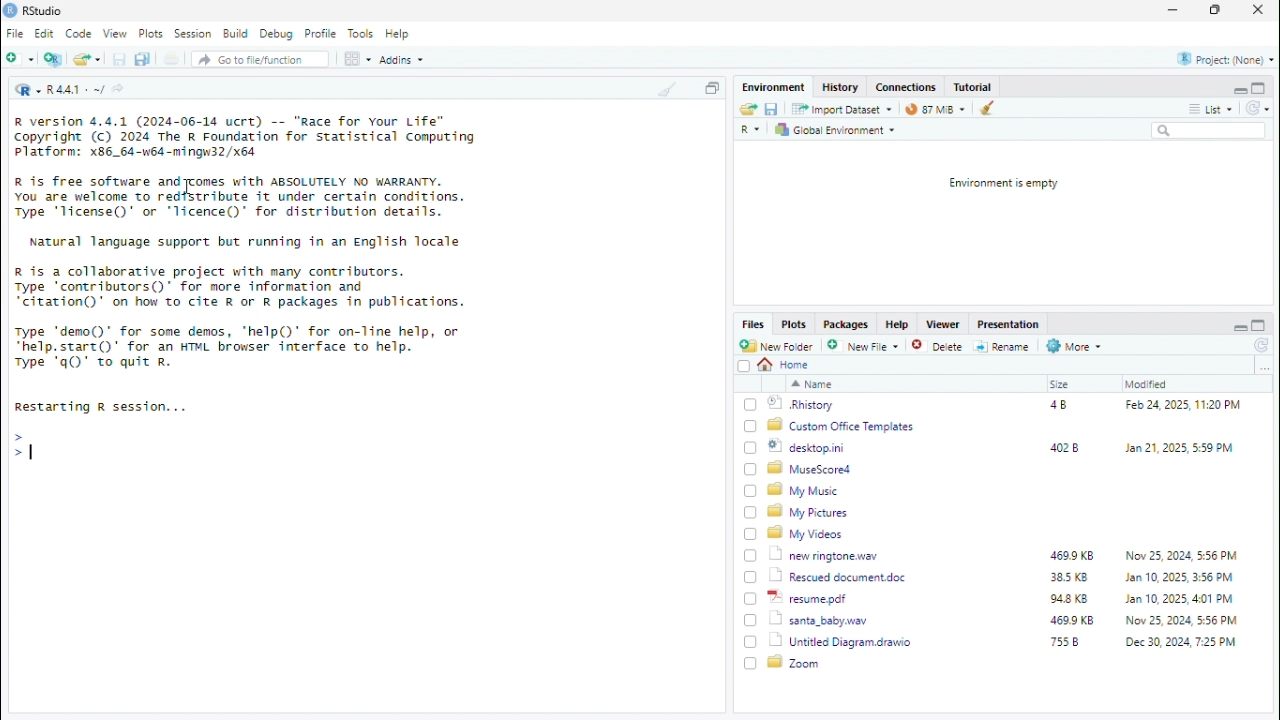  Describe the element at coordinates (1263, 346) in the screenshot. I see `reload` at that location.